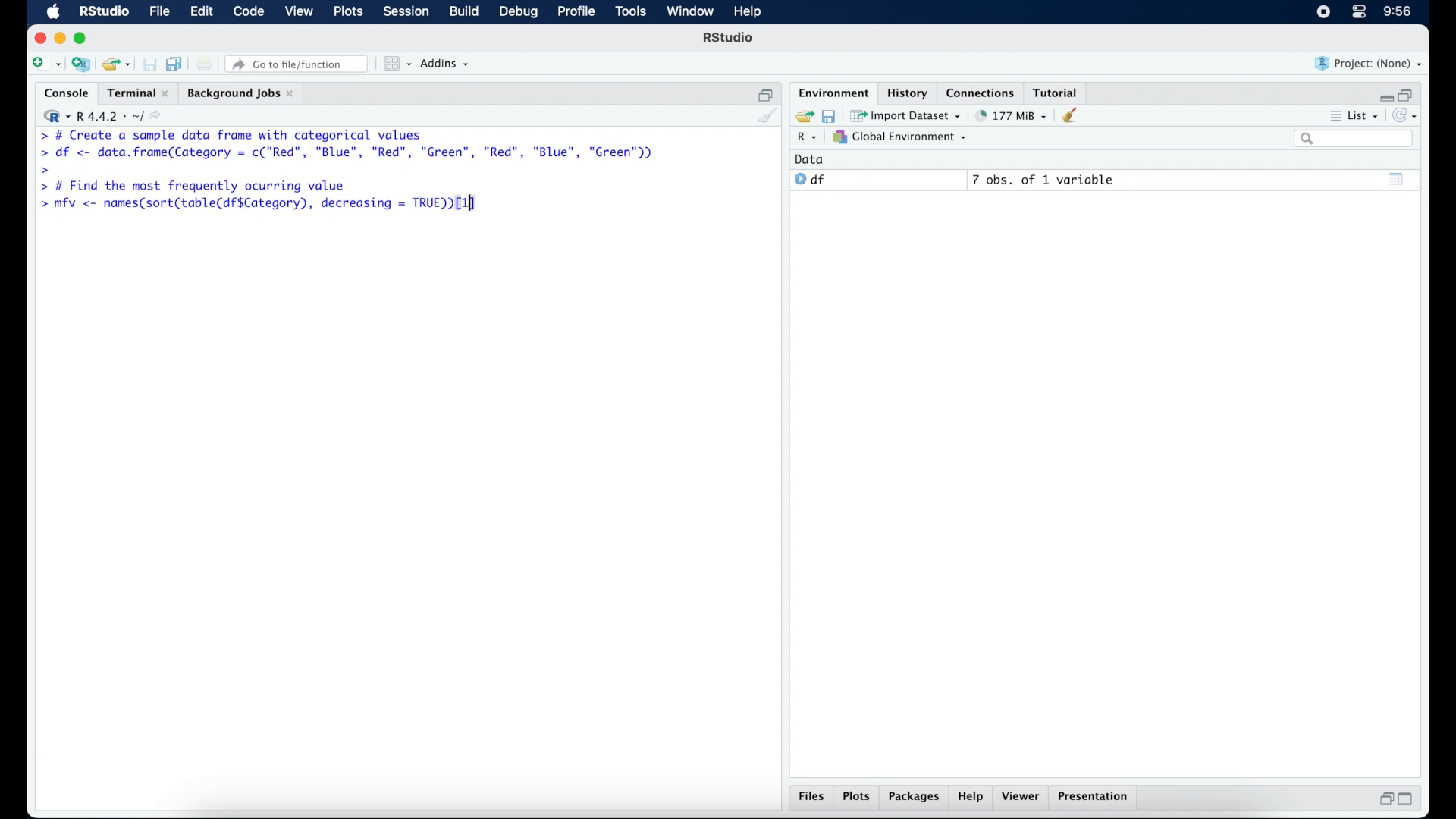 This screenshot has height=819, width=1456. Describe the element at coordinates (1043, 180) in the screenshot. I see `7 obs, of 1 variable` at that location.